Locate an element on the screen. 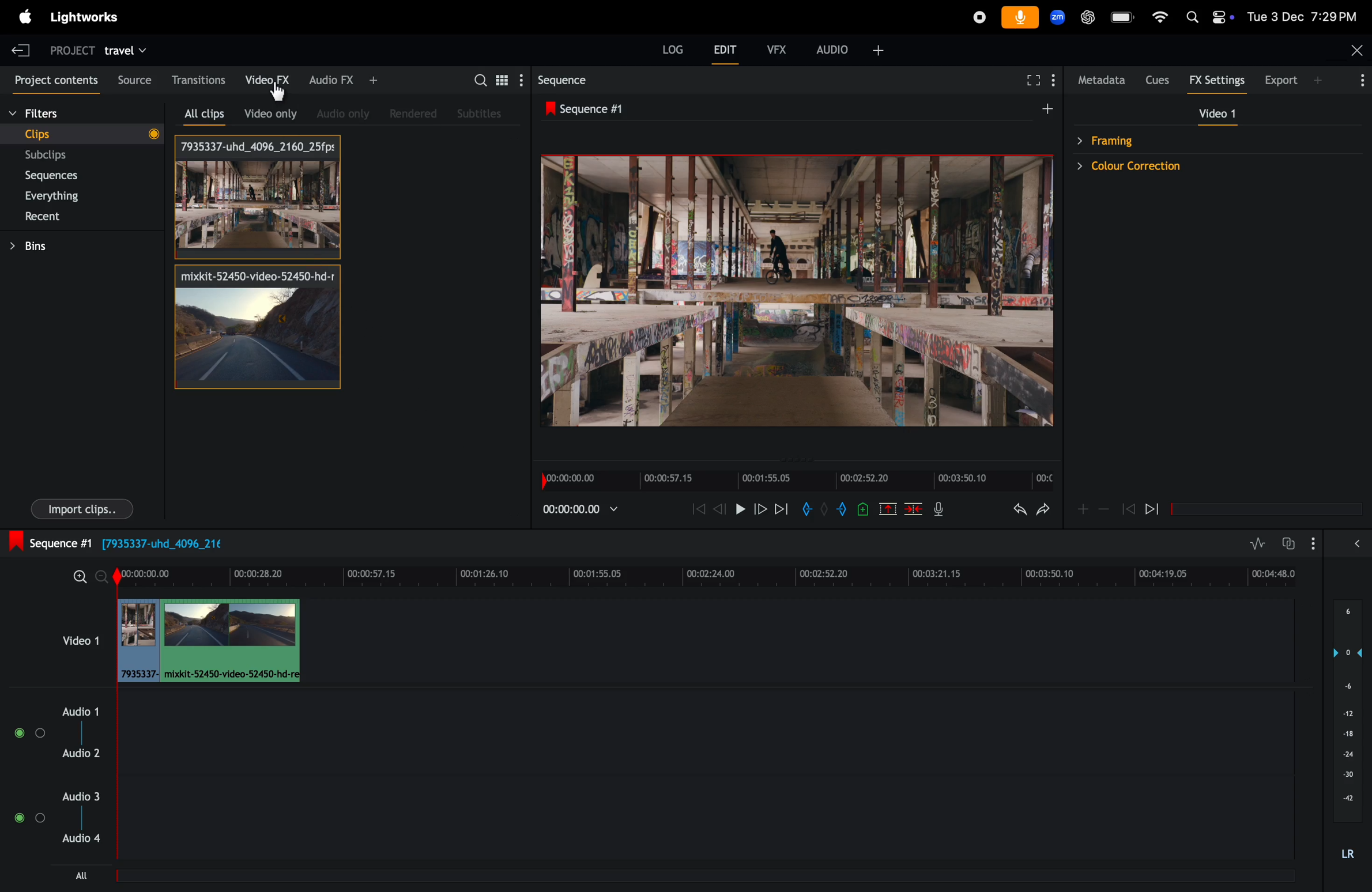  project is located at coordinates (71, 50).